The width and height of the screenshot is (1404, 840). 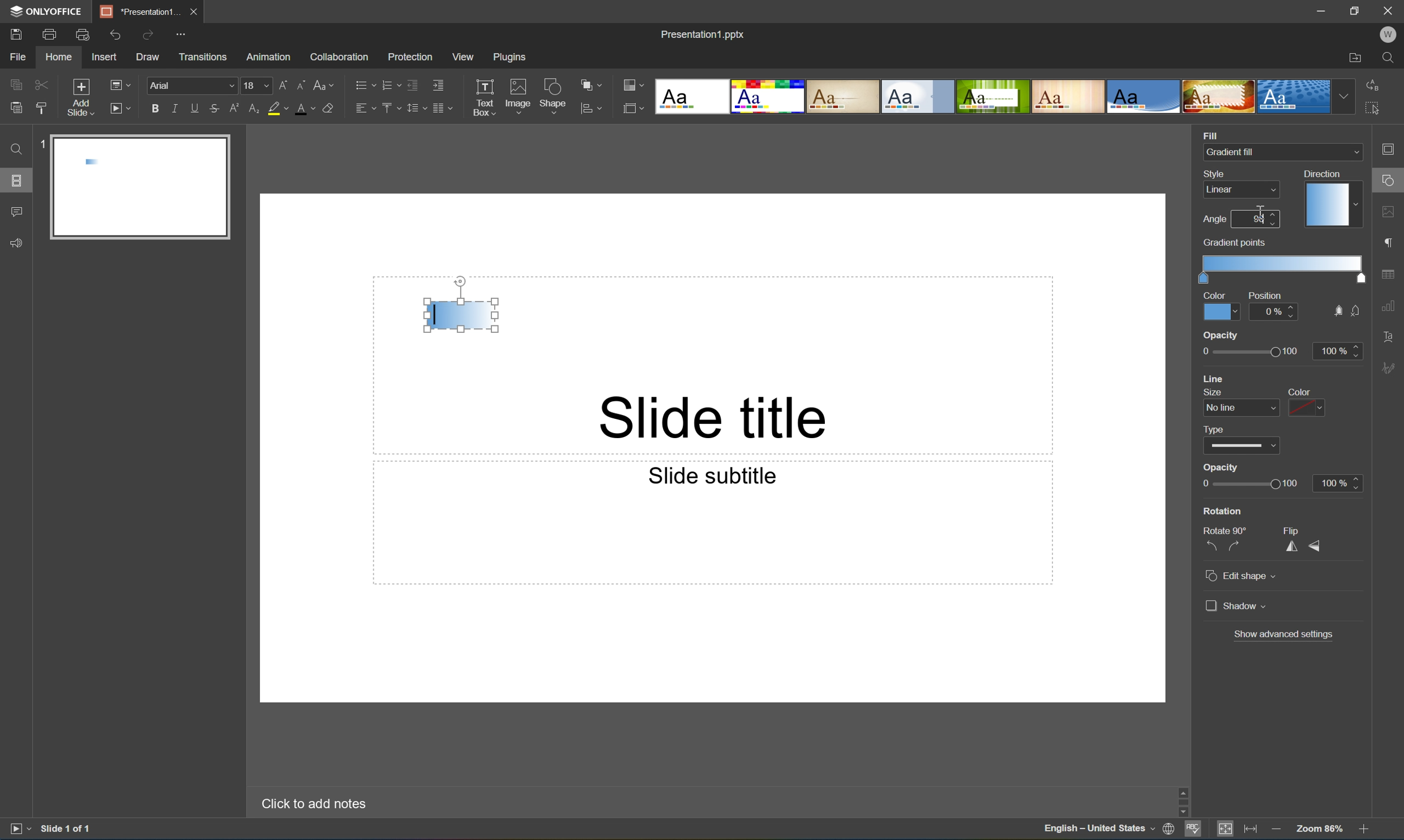 What do you see at coordinates (1243, 408) in the screenshot?
I see `line size dropdown` at bounding box center [1243, 408].